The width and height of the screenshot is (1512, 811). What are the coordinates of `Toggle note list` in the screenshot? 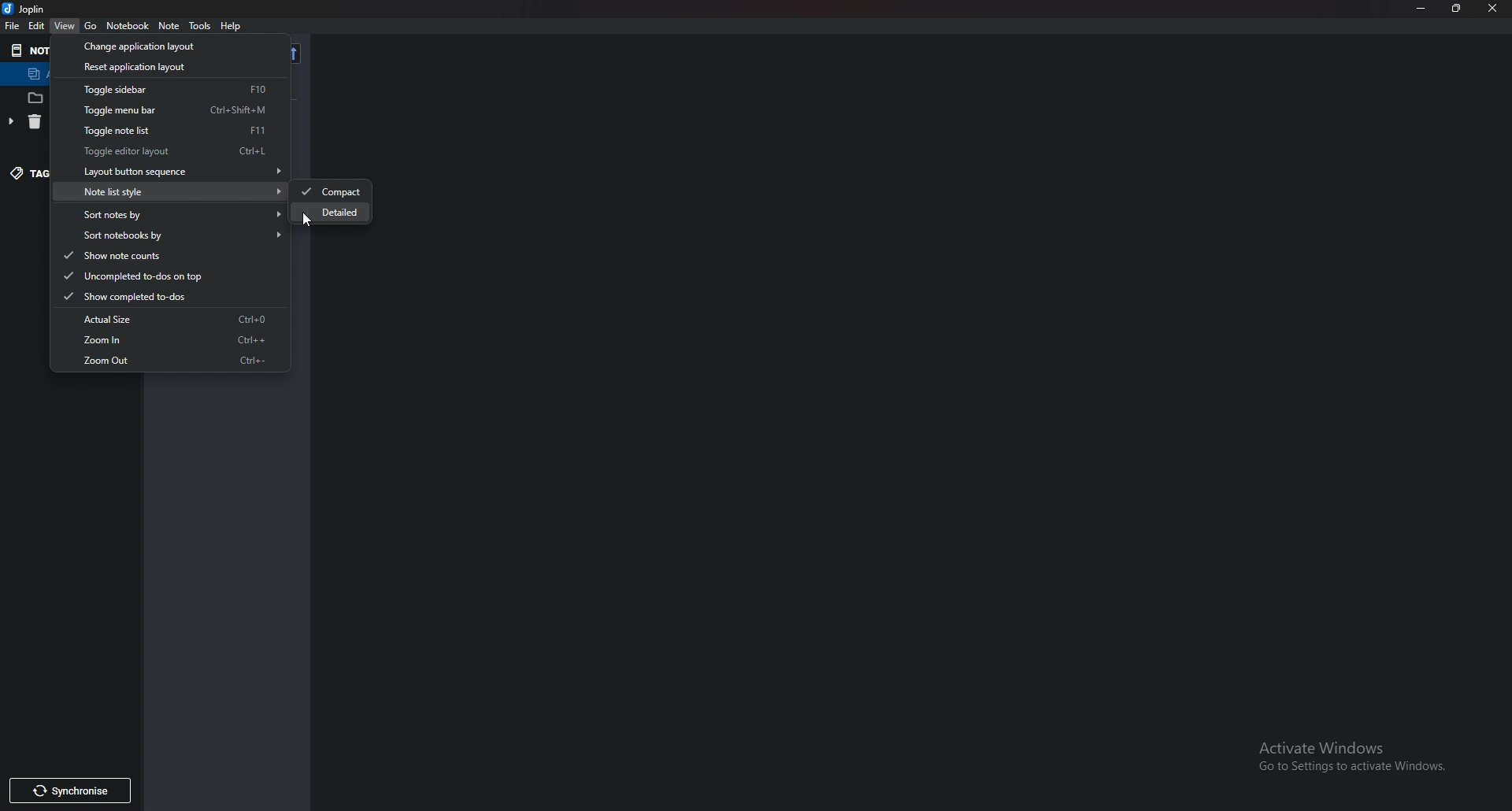 It's located at (168, 130).